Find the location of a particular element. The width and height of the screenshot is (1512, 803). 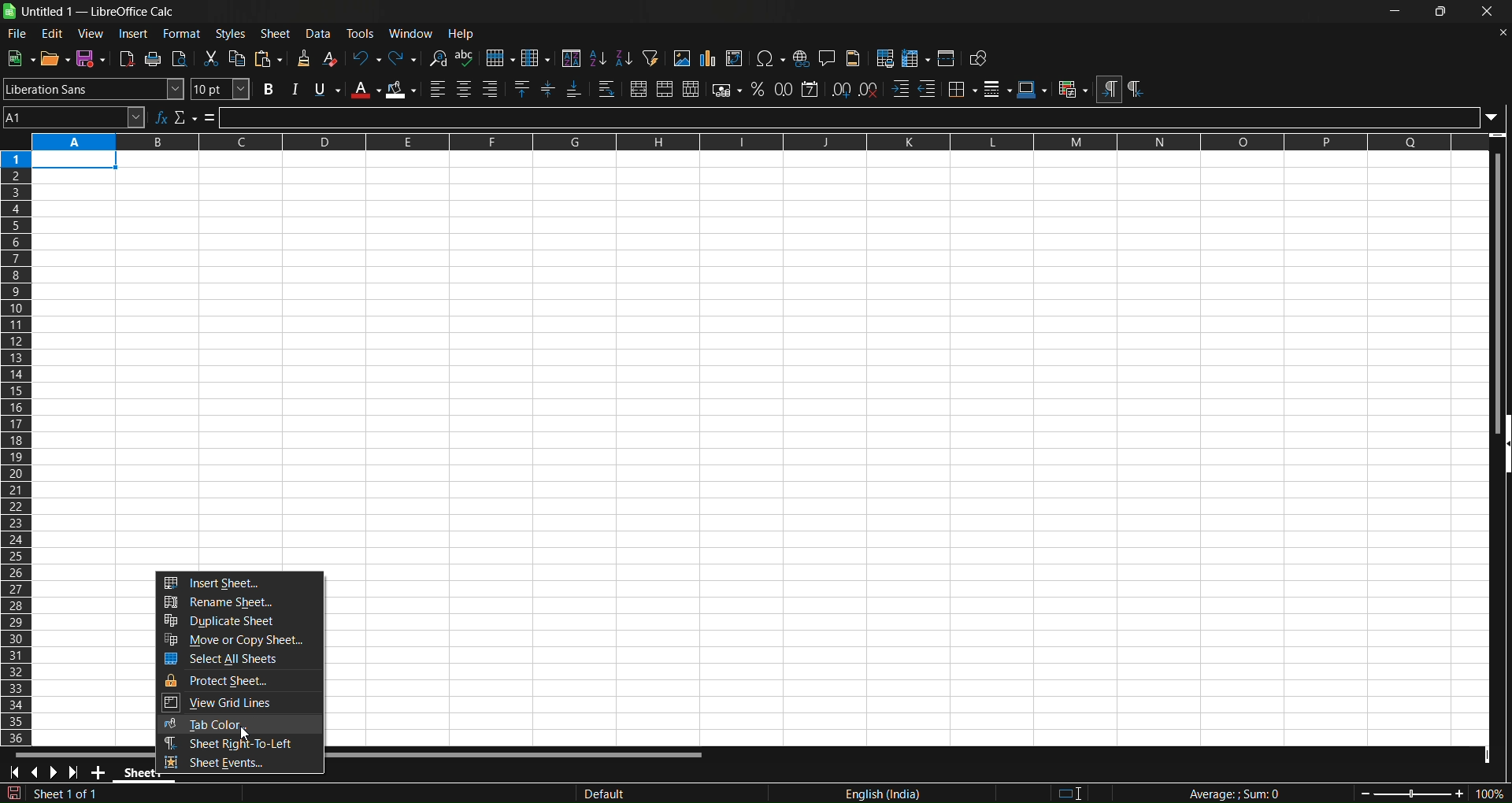

insert image is located at coordinates (680, 58).